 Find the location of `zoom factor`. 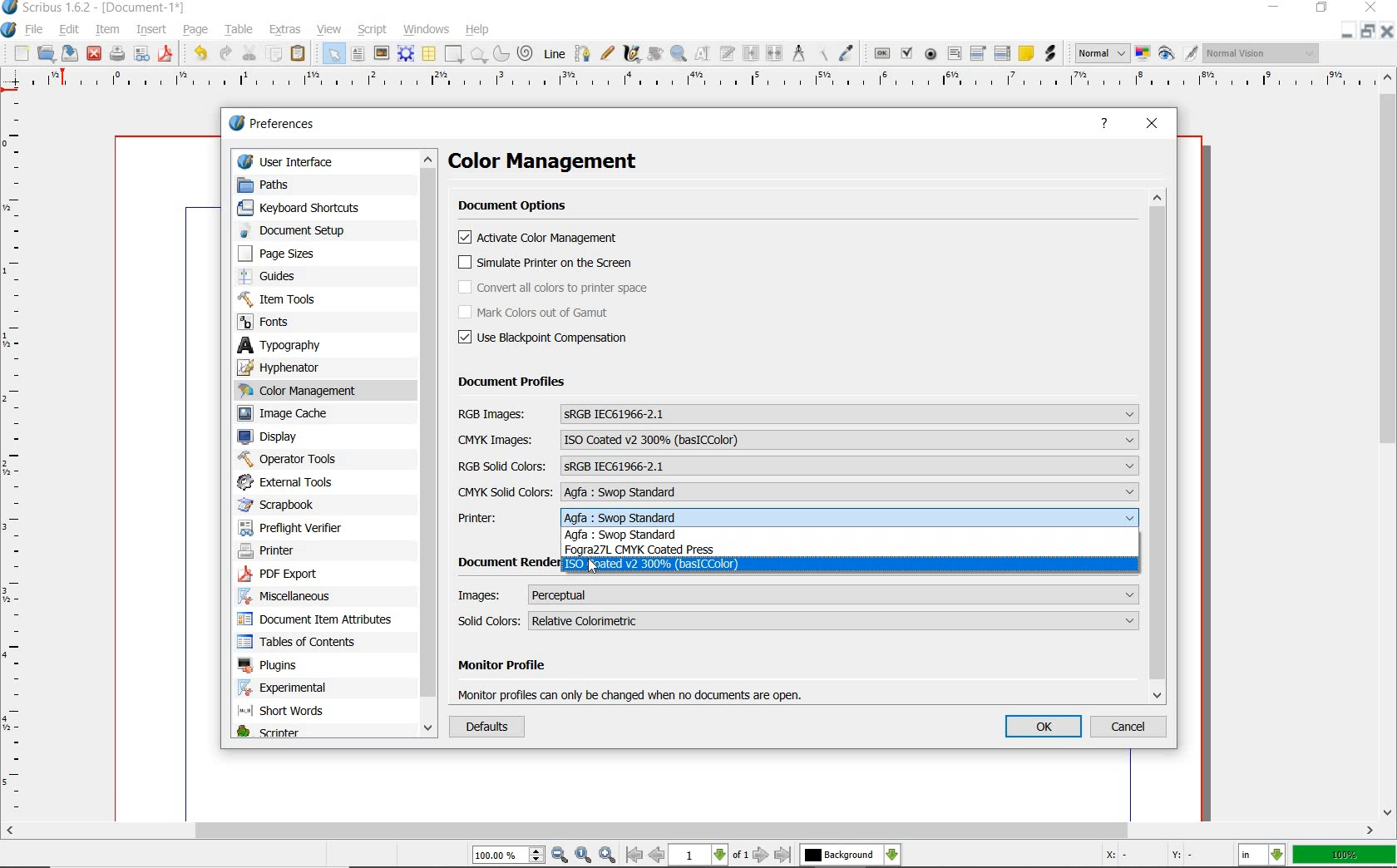

zoom factor is located at coordinates (1345, 855).